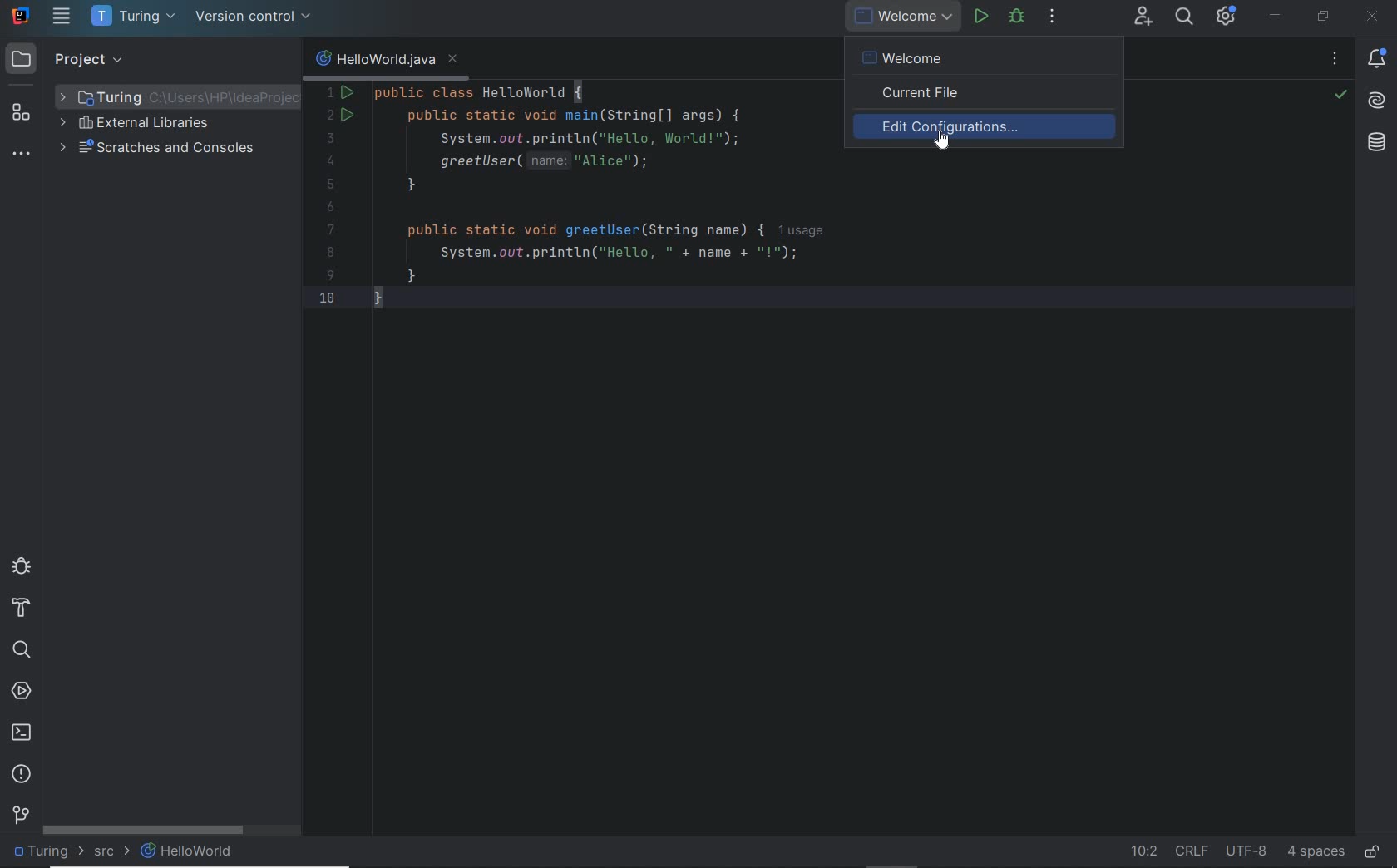 The width and height of the screenshot is (1397, 868). What do you see at coordinates (901, 17) in the screenshot?
I see `current file: run/debug configurations` at bounding box center [901, 17].